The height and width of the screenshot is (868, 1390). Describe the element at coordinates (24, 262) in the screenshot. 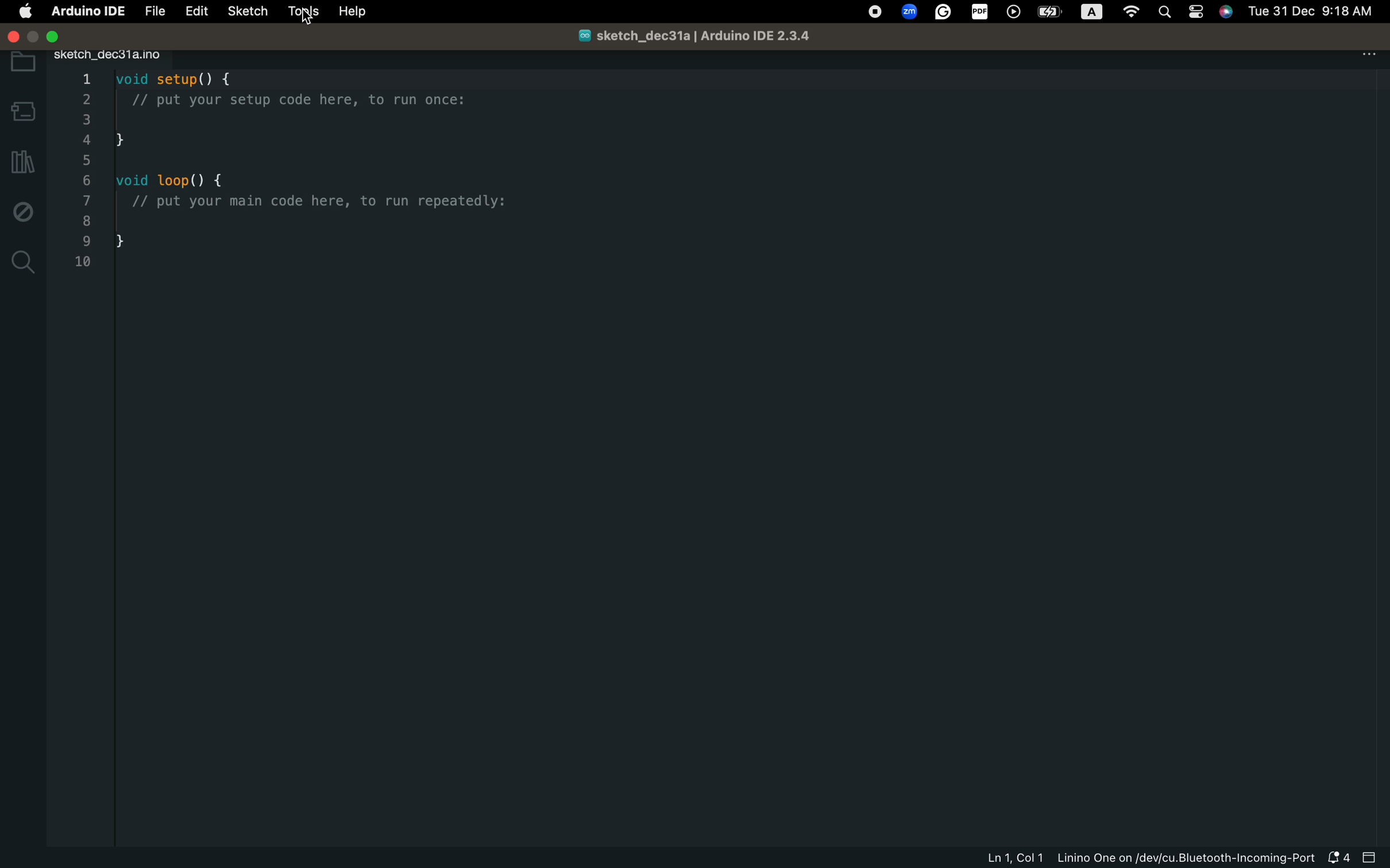

I see `search` at that location.